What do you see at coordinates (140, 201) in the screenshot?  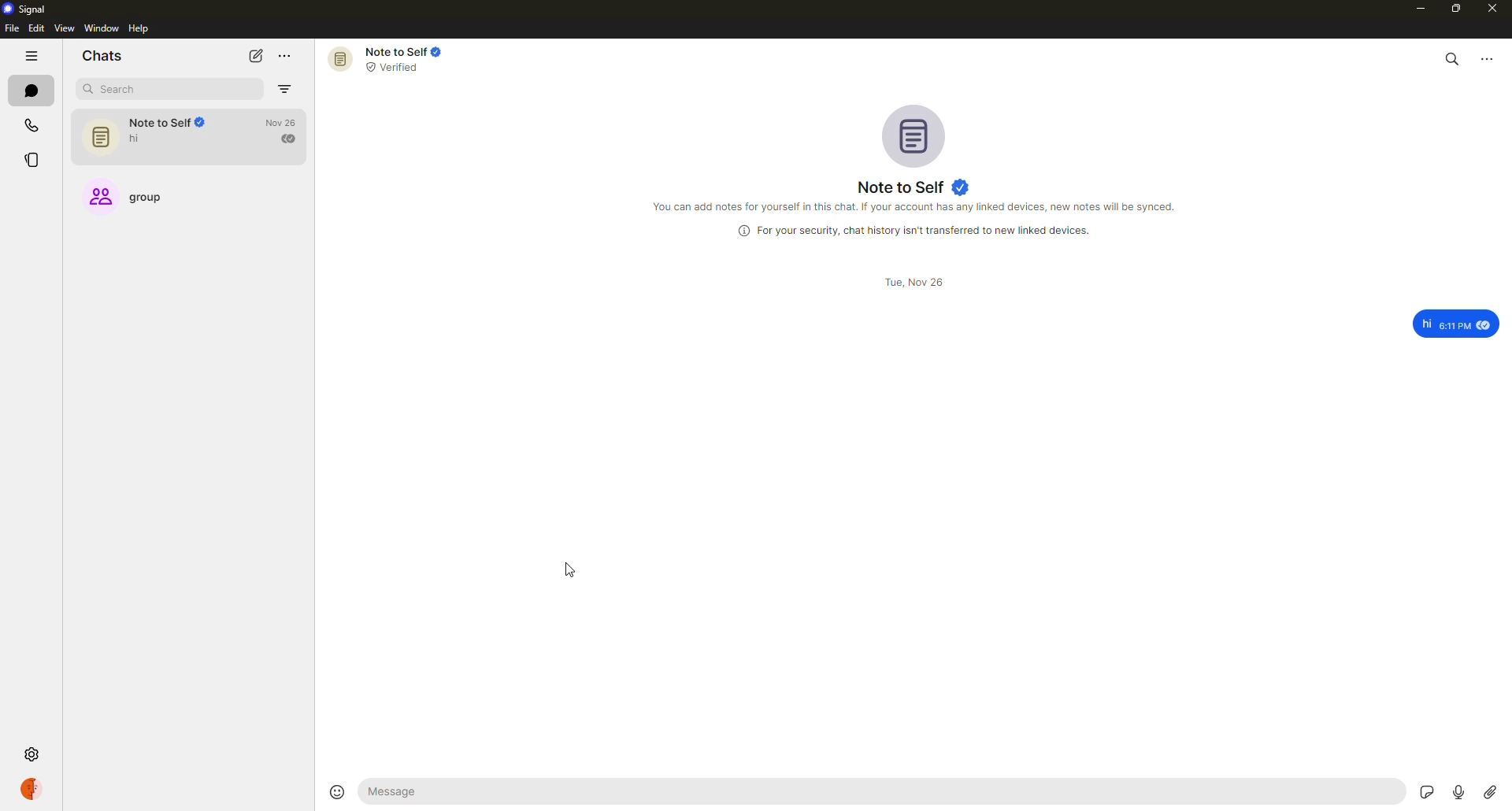 I see `group` at bounding box center [140, 201].